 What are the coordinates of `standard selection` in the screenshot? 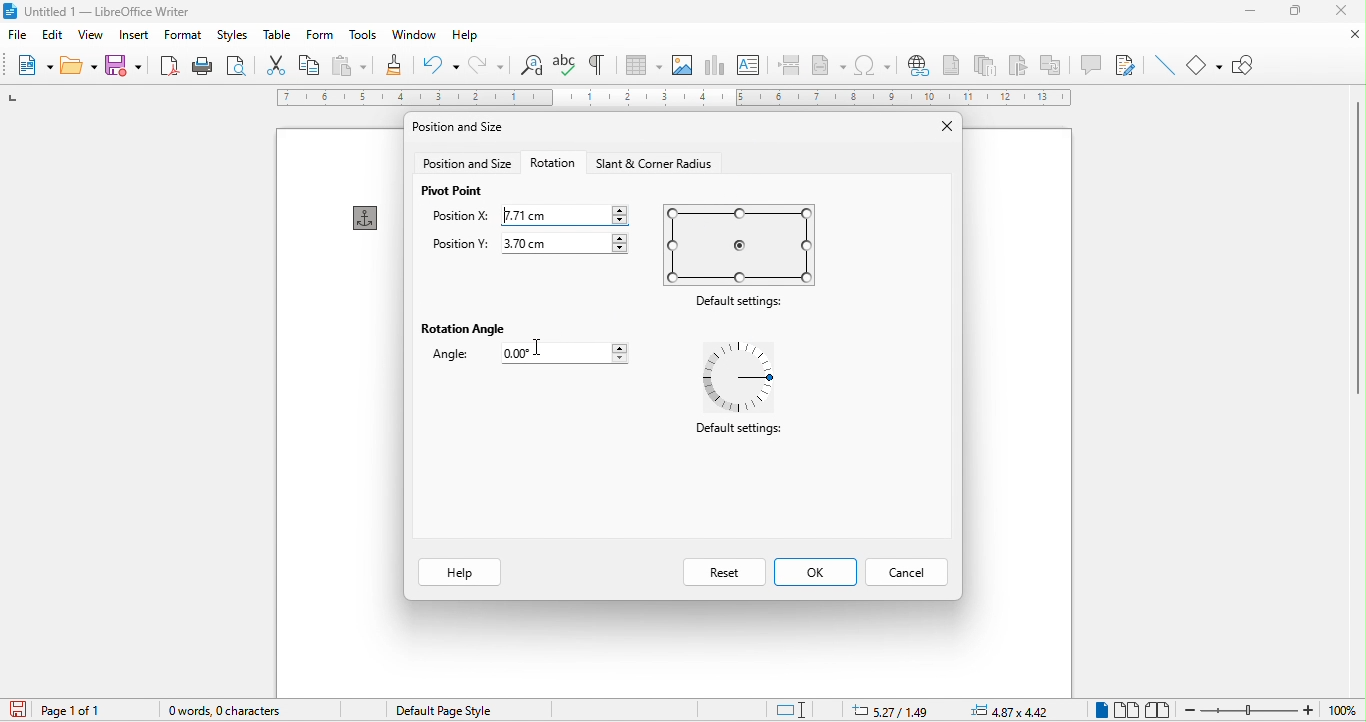 It's located at (803, 708).